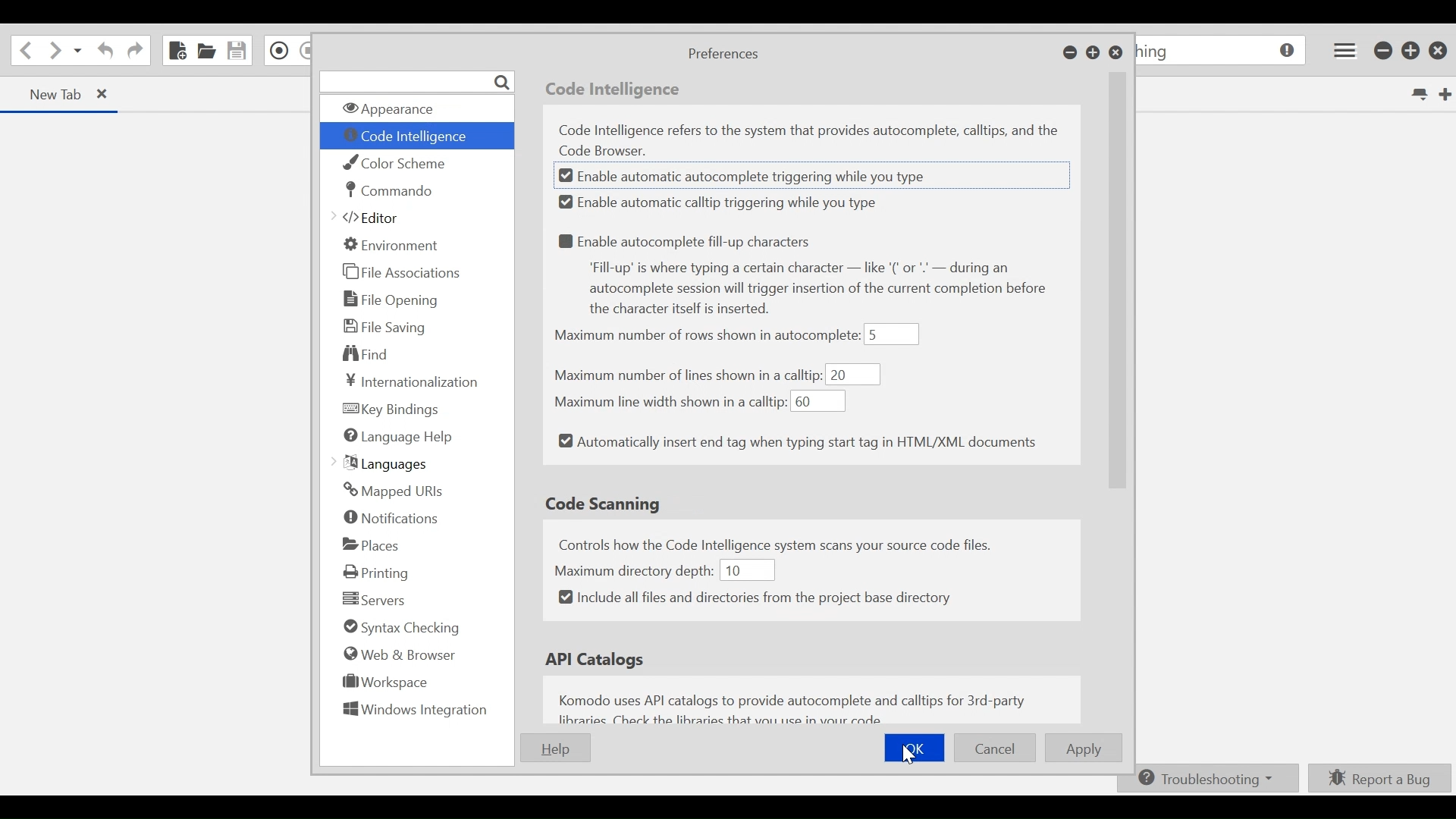  Describe the element at coordinates (110, 96) in the screenshot. I see `close` at that location.